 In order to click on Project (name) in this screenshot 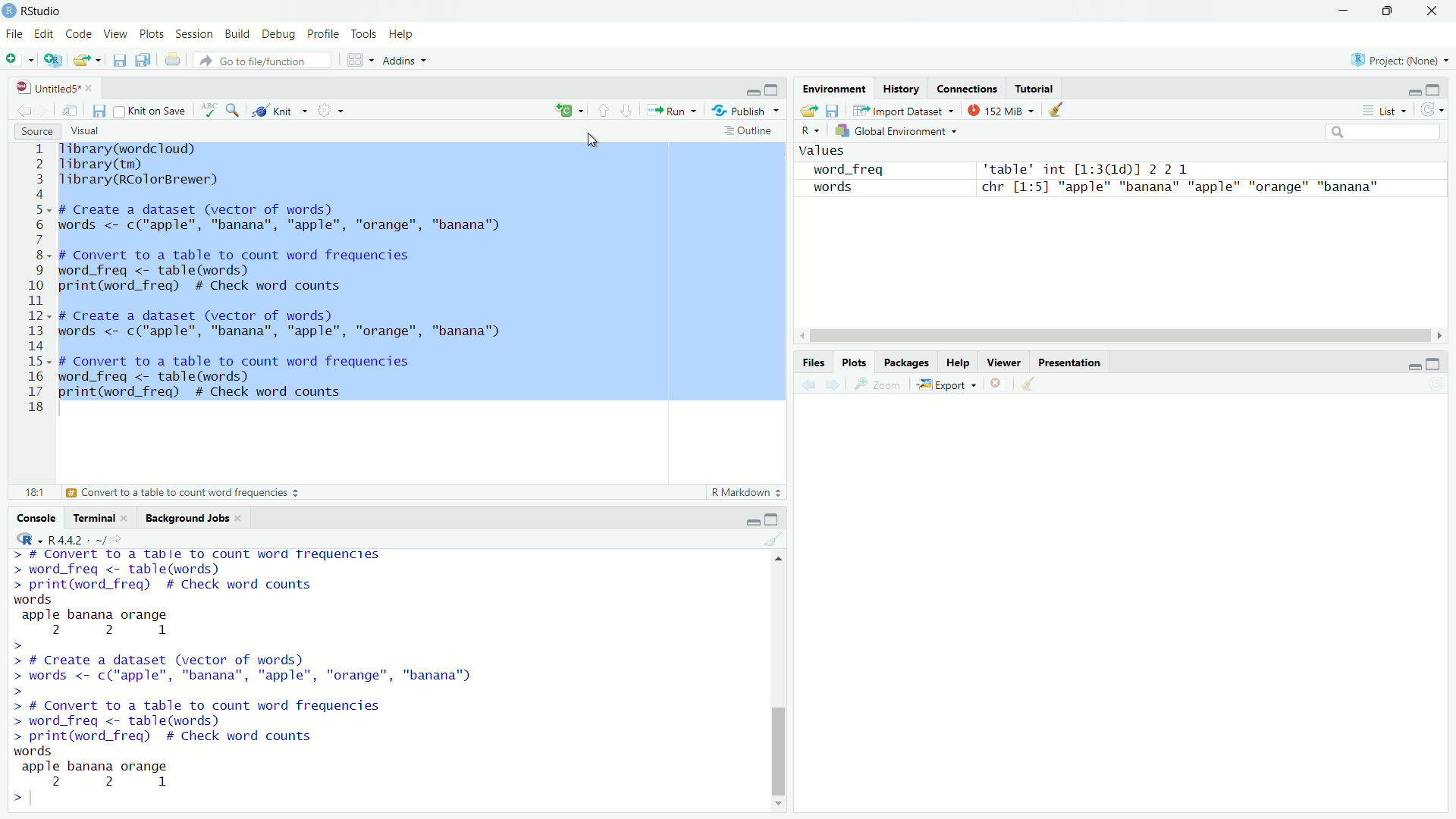, I will do `click(1403, 61)`.